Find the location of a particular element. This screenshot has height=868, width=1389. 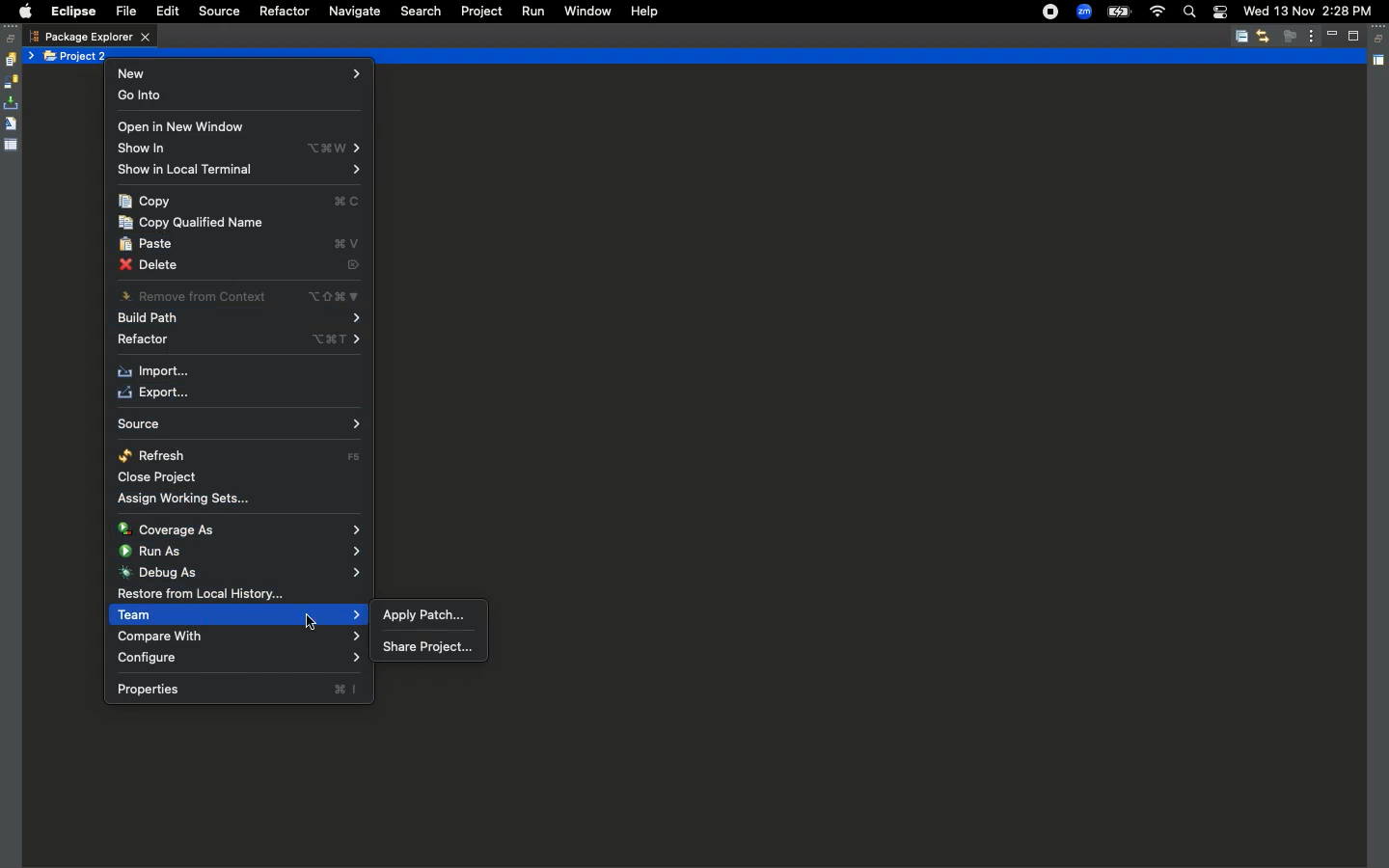

Open in new window is located at coordinates (181, 128).